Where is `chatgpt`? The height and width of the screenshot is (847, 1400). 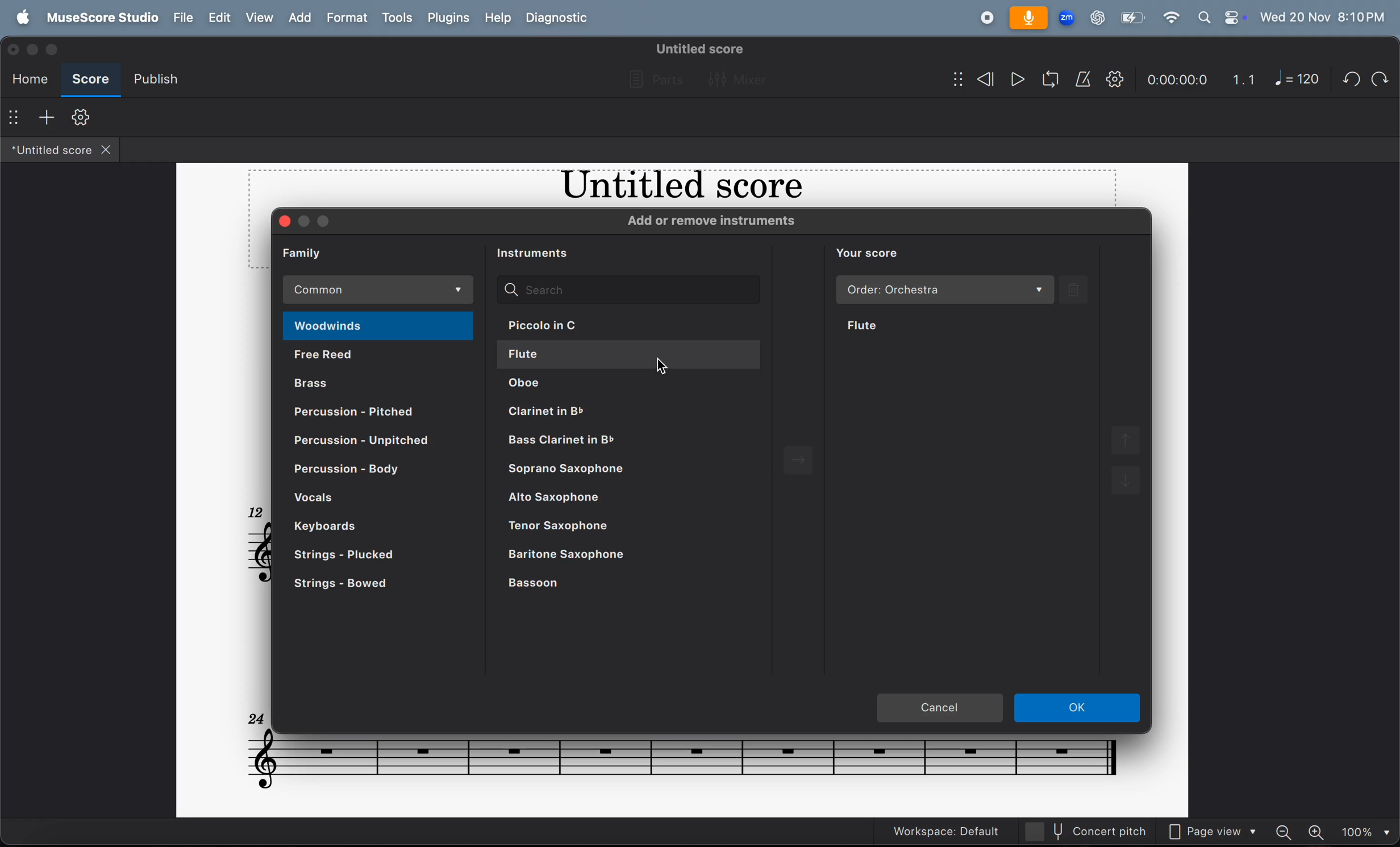 chatgpt is located at coordinates (1098, 17).